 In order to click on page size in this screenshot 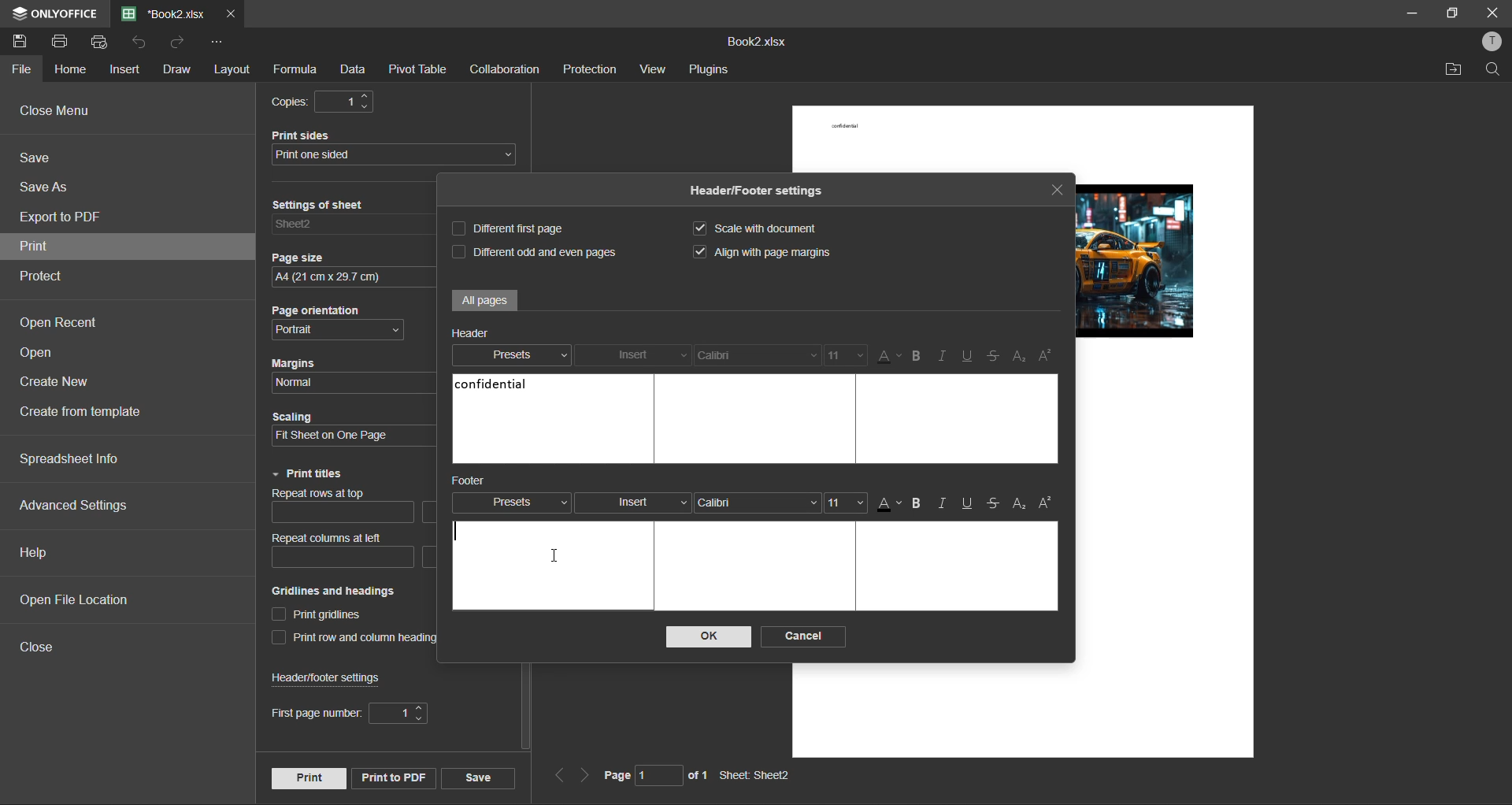, I will do `click(350, 278)`.